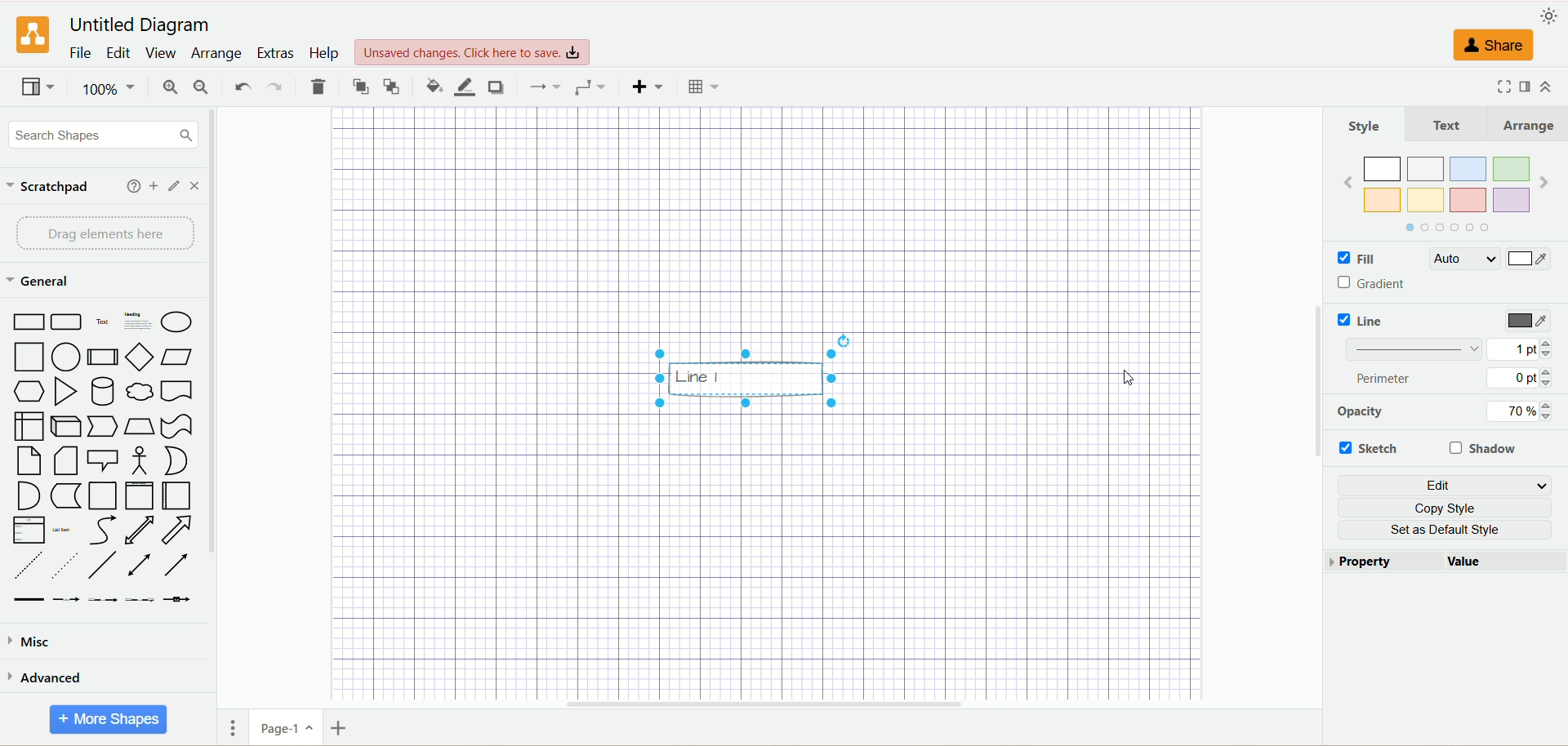  What do you see at coordinates (99, 134) in the screenshot?
I see `search shapes` at bounding box center [99, 134].